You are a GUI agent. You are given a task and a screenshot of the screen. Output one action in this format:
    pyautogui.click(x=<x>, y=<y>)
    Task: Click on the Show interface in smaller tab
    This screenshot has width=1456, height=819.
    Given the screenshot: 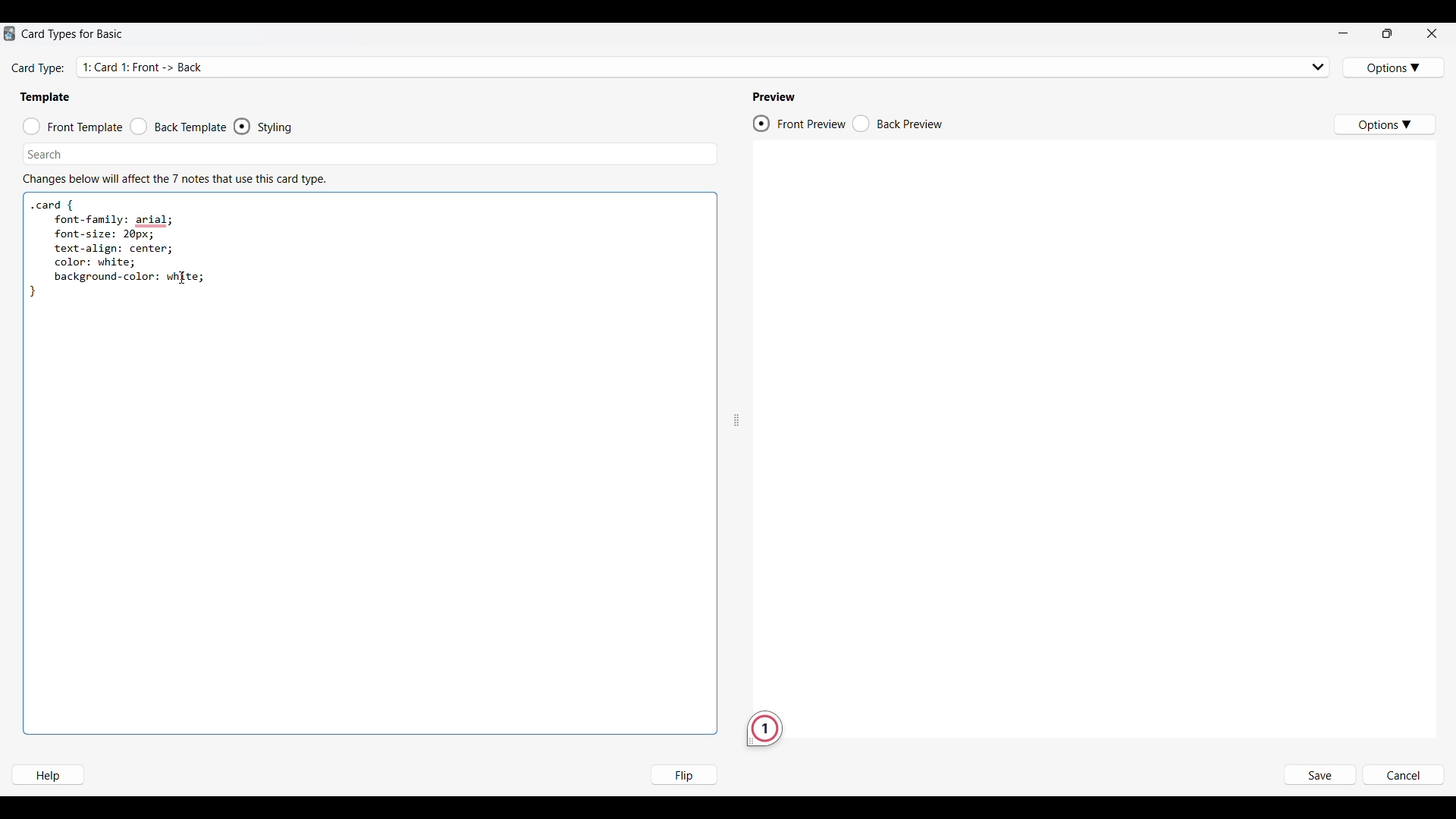 What is the action you would take?
    pyautogui.click(x=1388, y=33)
    